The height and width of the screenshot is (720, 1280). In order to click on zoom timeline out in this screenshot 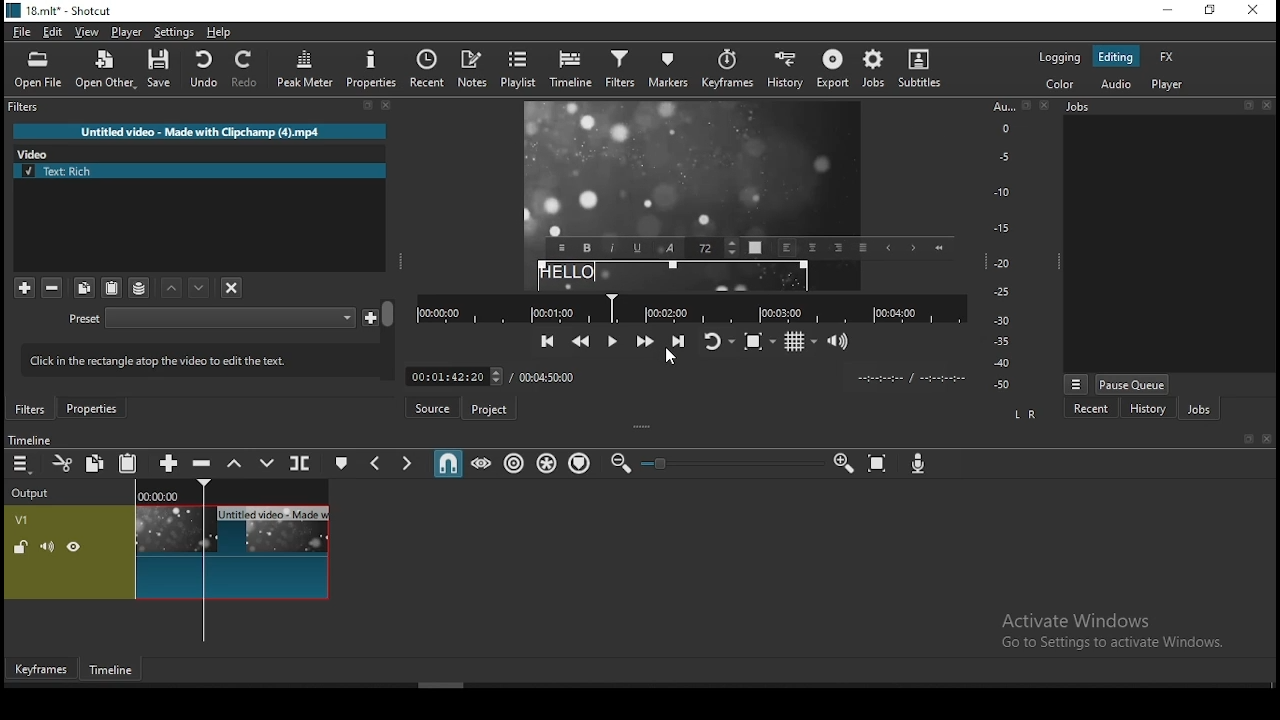, I will do `click(620, 463)`.